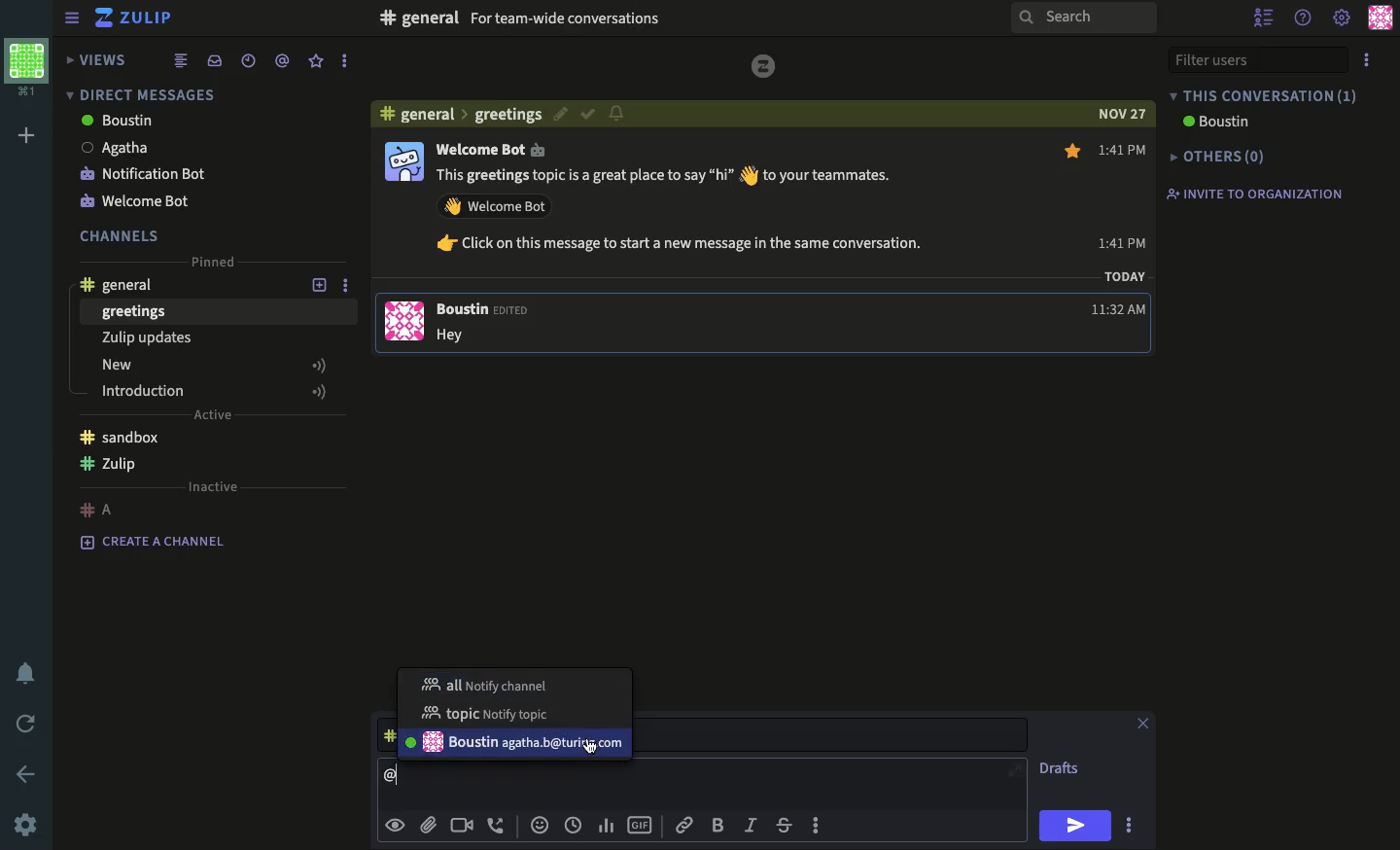 The width and height of the screenshot is (1400, 850). I want to click on video call, so click(464, 826).